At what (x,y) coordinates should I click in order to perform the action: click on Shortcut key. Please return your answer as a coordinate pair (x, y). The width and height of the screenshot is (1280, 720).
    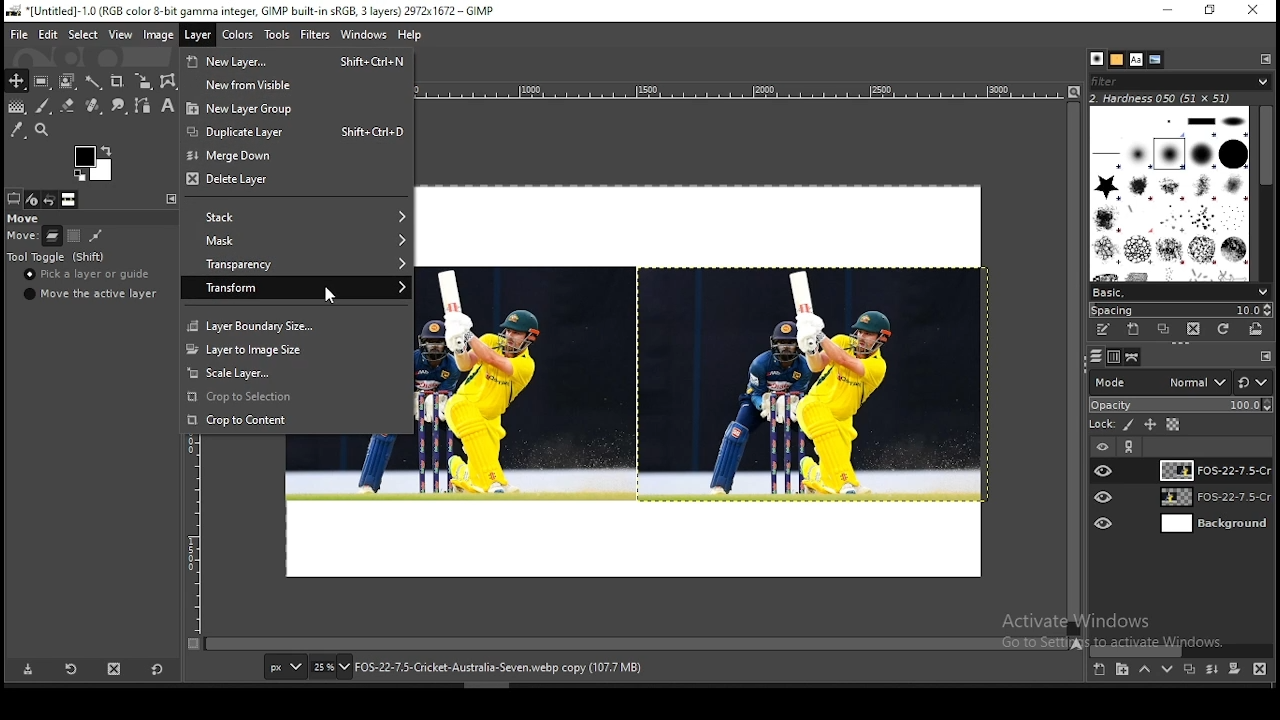
    Looking at the image, I should click on (372, 60).